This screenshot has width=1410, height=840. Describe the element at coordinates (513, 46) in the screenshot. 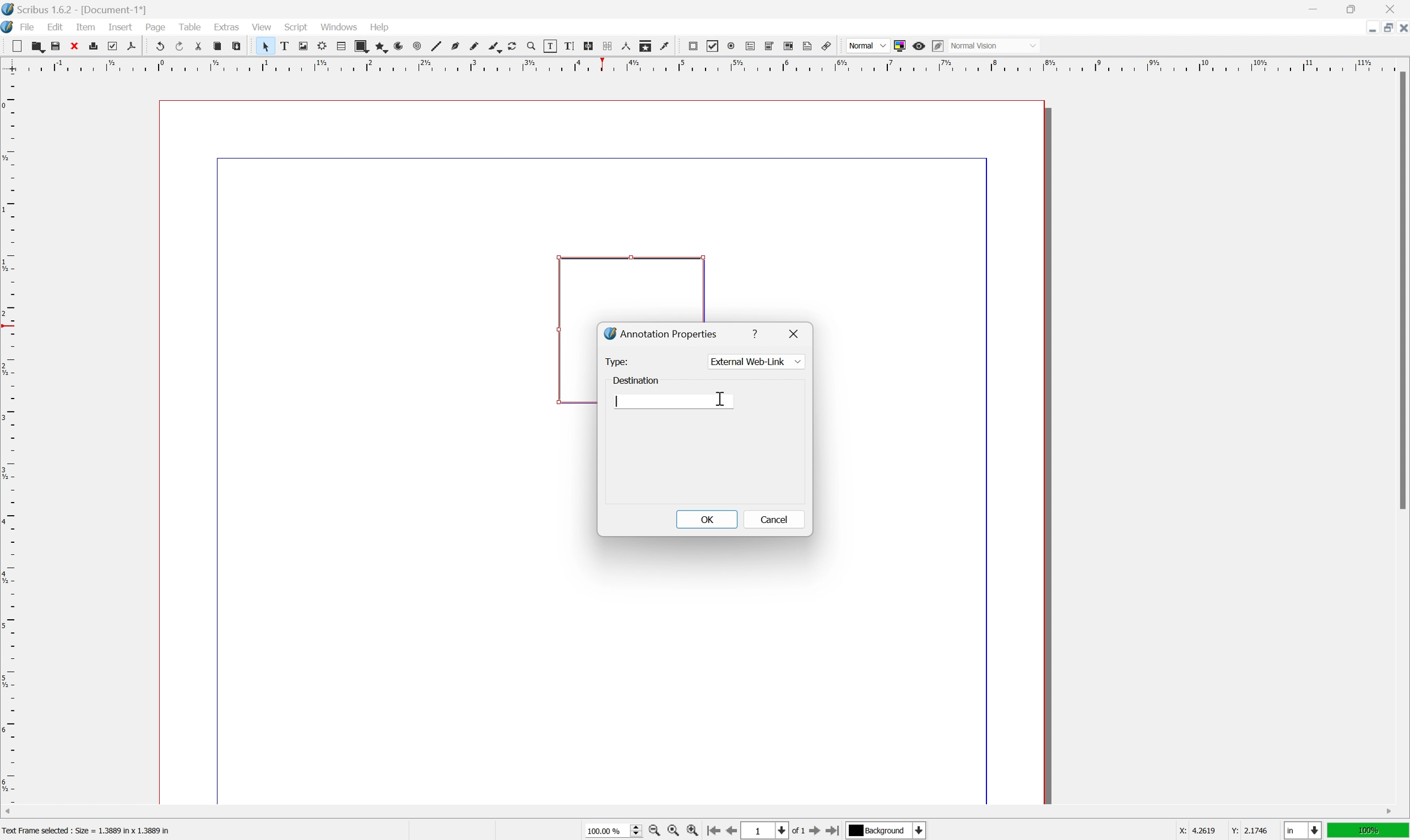

I see `rotate item` at that location.